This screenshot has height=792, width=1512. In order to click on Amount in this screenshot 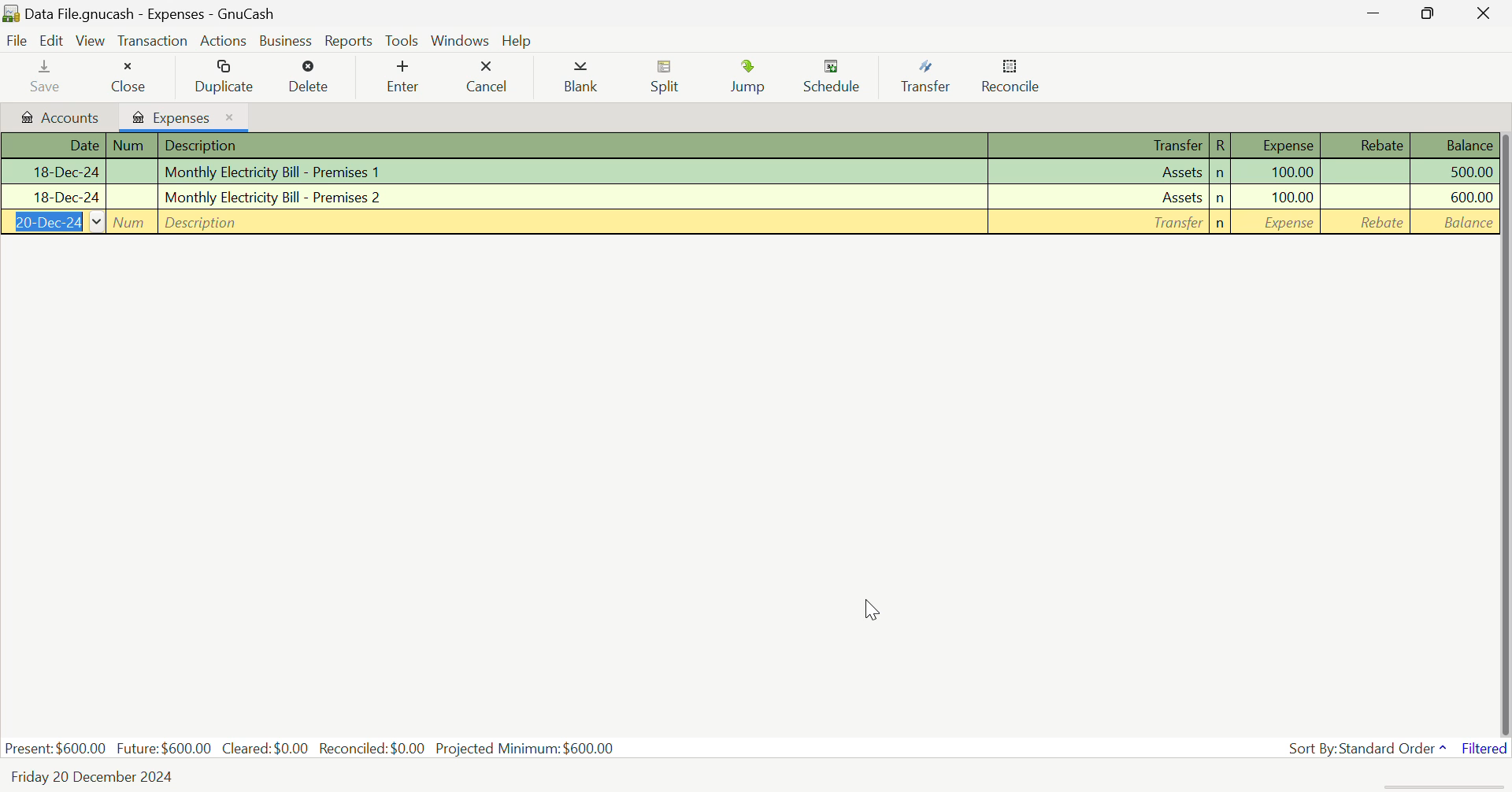, I will do `click(1452, 172)`.